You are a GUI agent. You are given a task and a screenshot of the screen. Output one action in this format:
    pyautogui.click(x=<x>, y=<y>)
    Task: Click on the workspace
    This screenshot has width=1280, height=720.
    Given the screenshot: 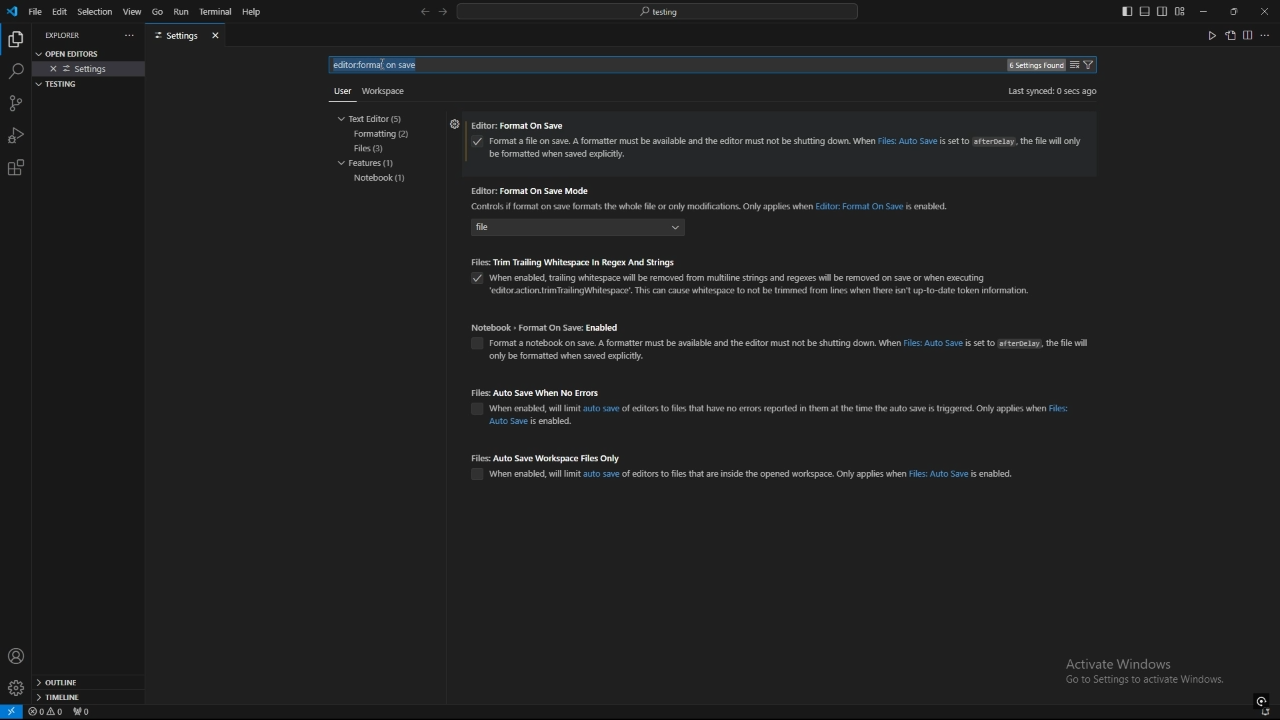 What is the action you would take?
    pyautogui.click(x=388, y=89)
    